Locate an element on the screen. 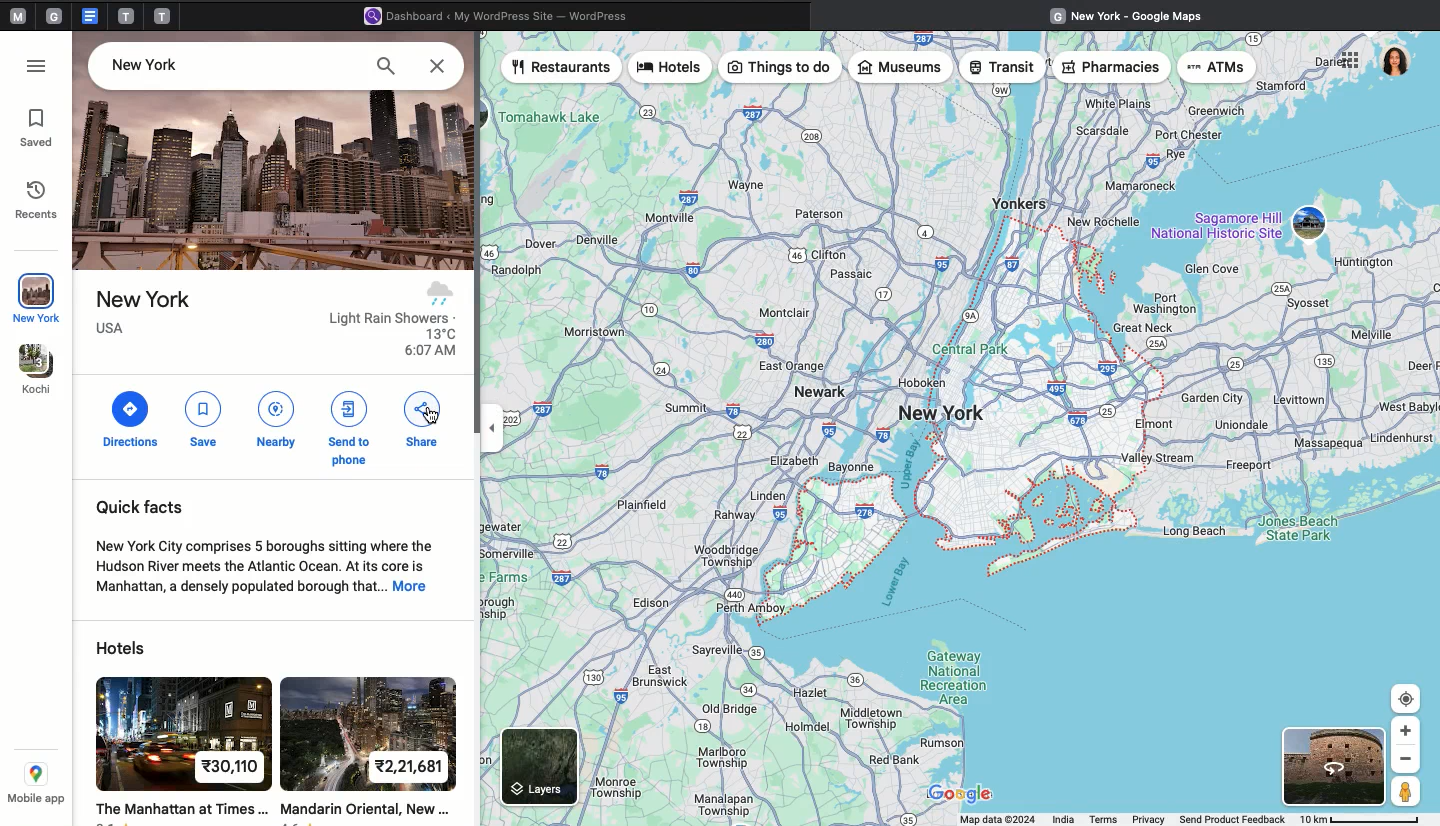  Map is located at coordinates (965, 385).